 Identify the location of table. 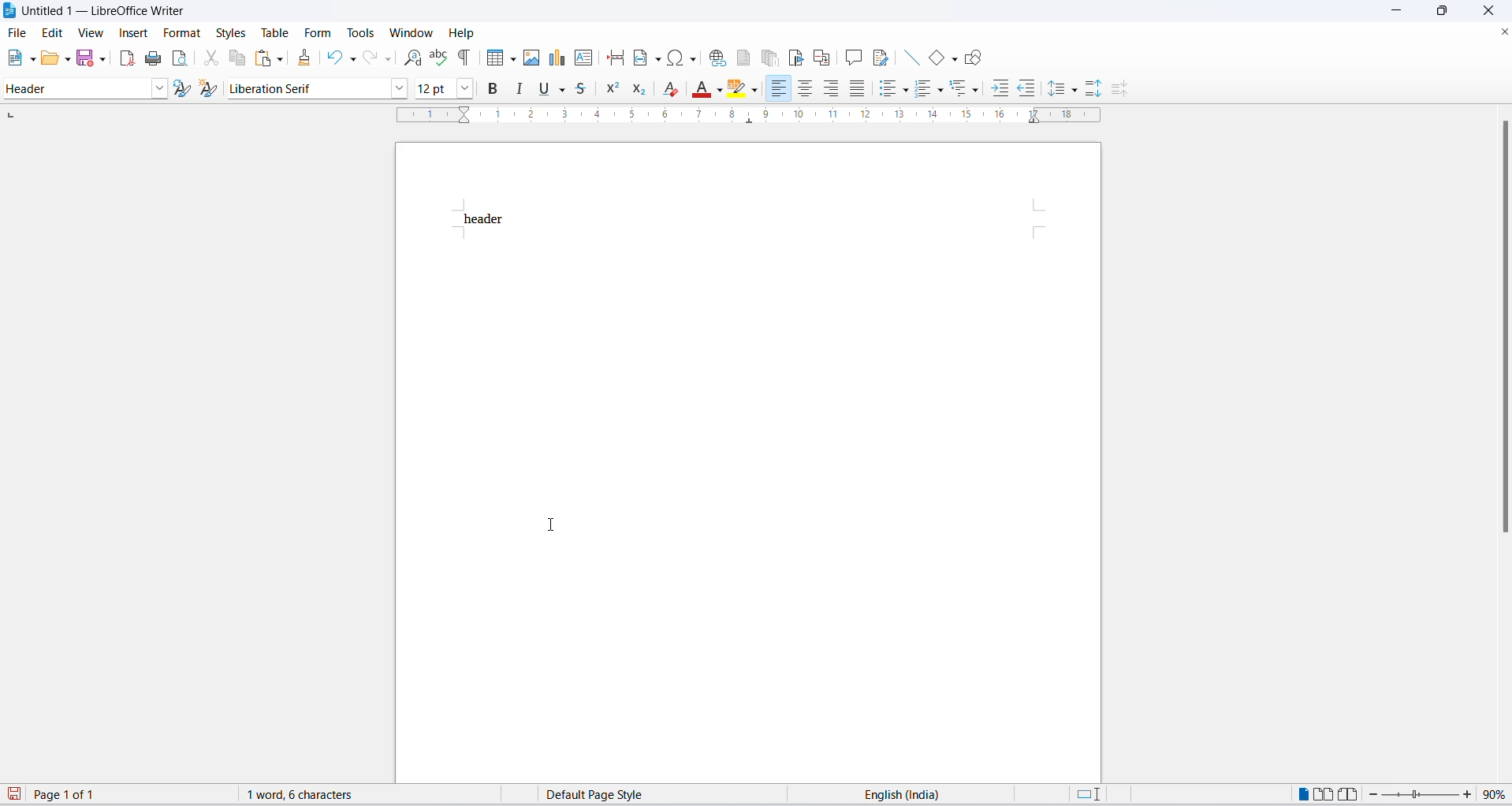
(273, 32).